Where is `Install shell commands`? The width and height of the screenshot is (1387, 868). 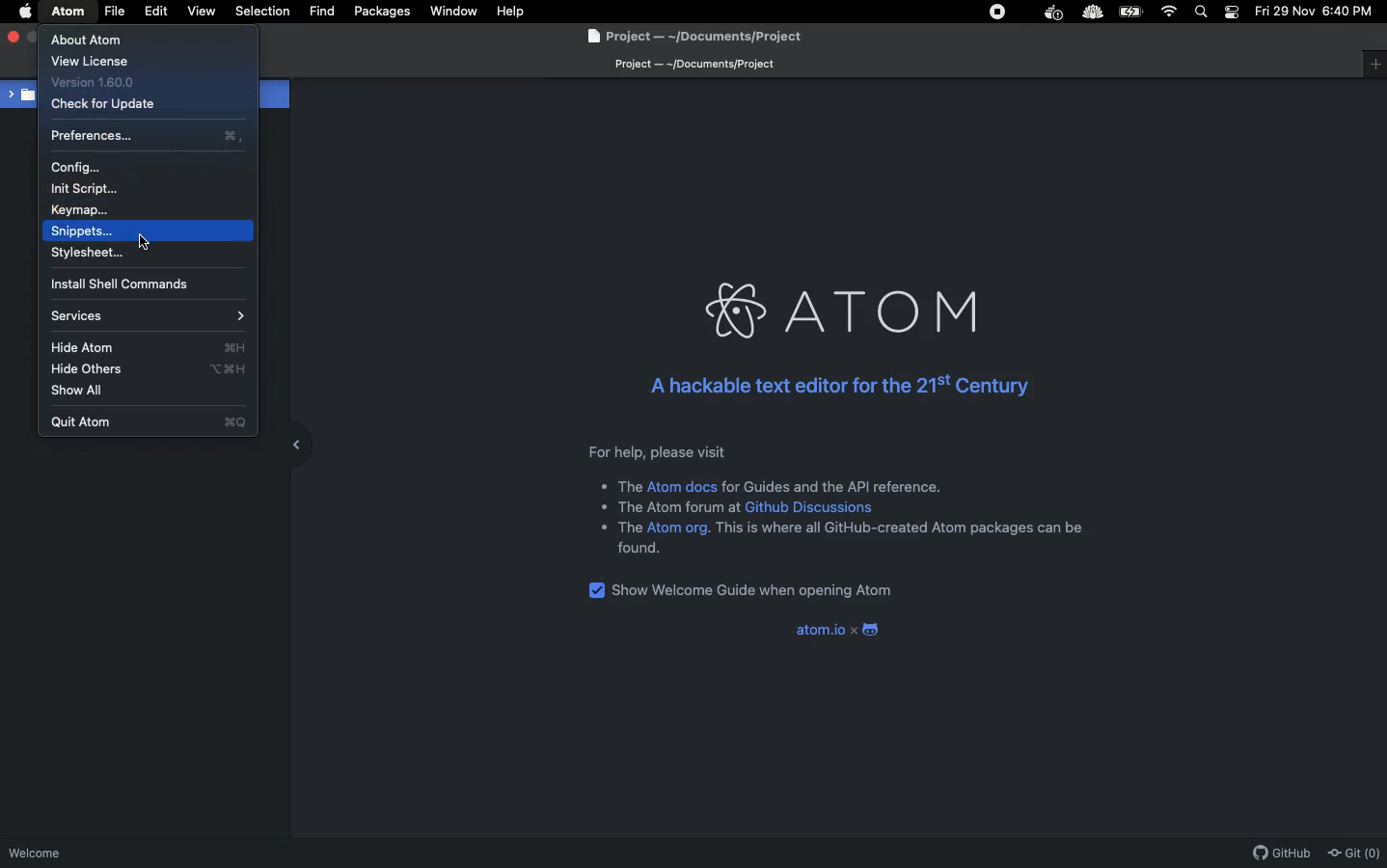
Install shell commands is located at coordinates (131, 283).